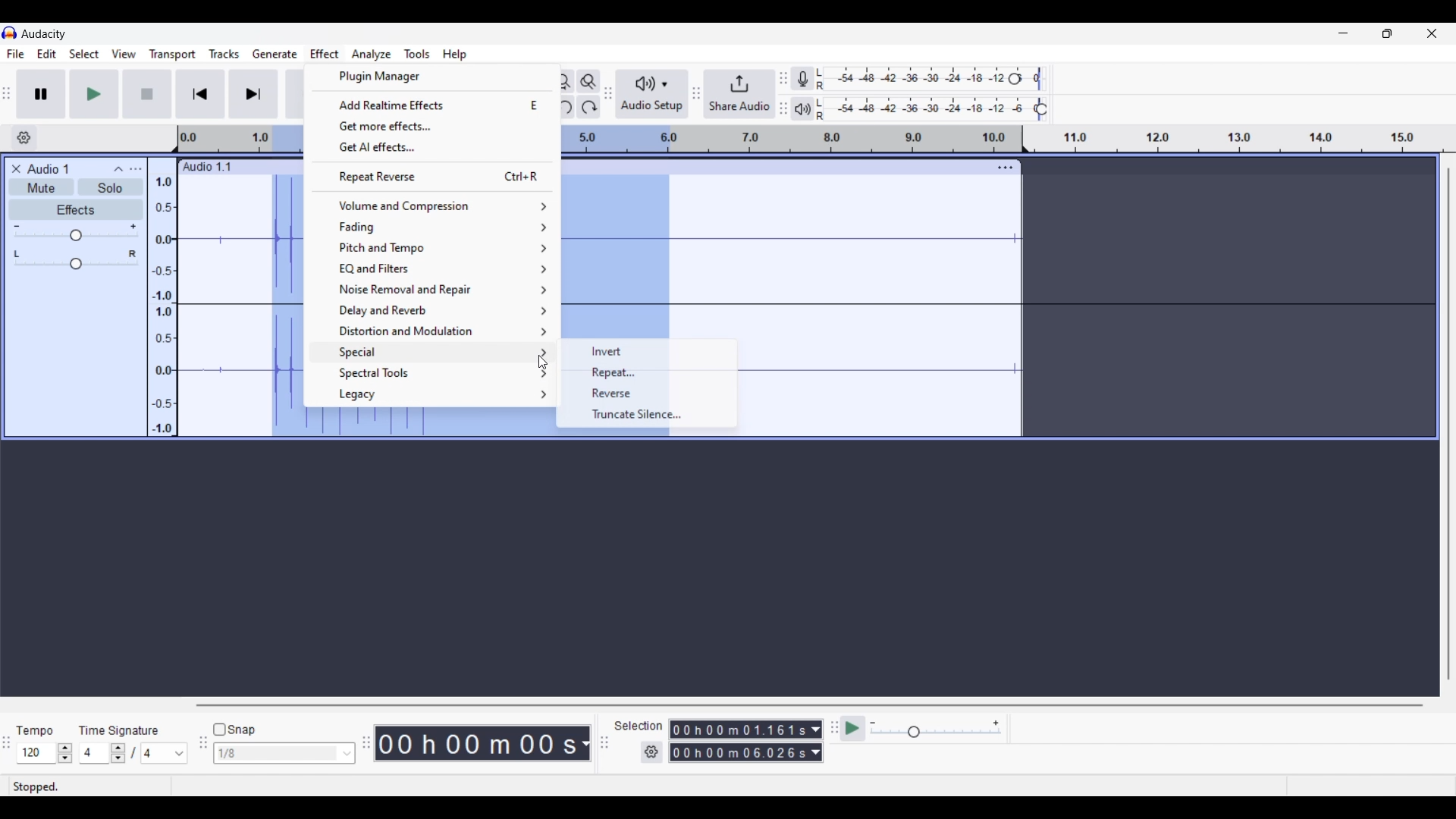  I want to click on Minimum playback speed, so click(873, 723).